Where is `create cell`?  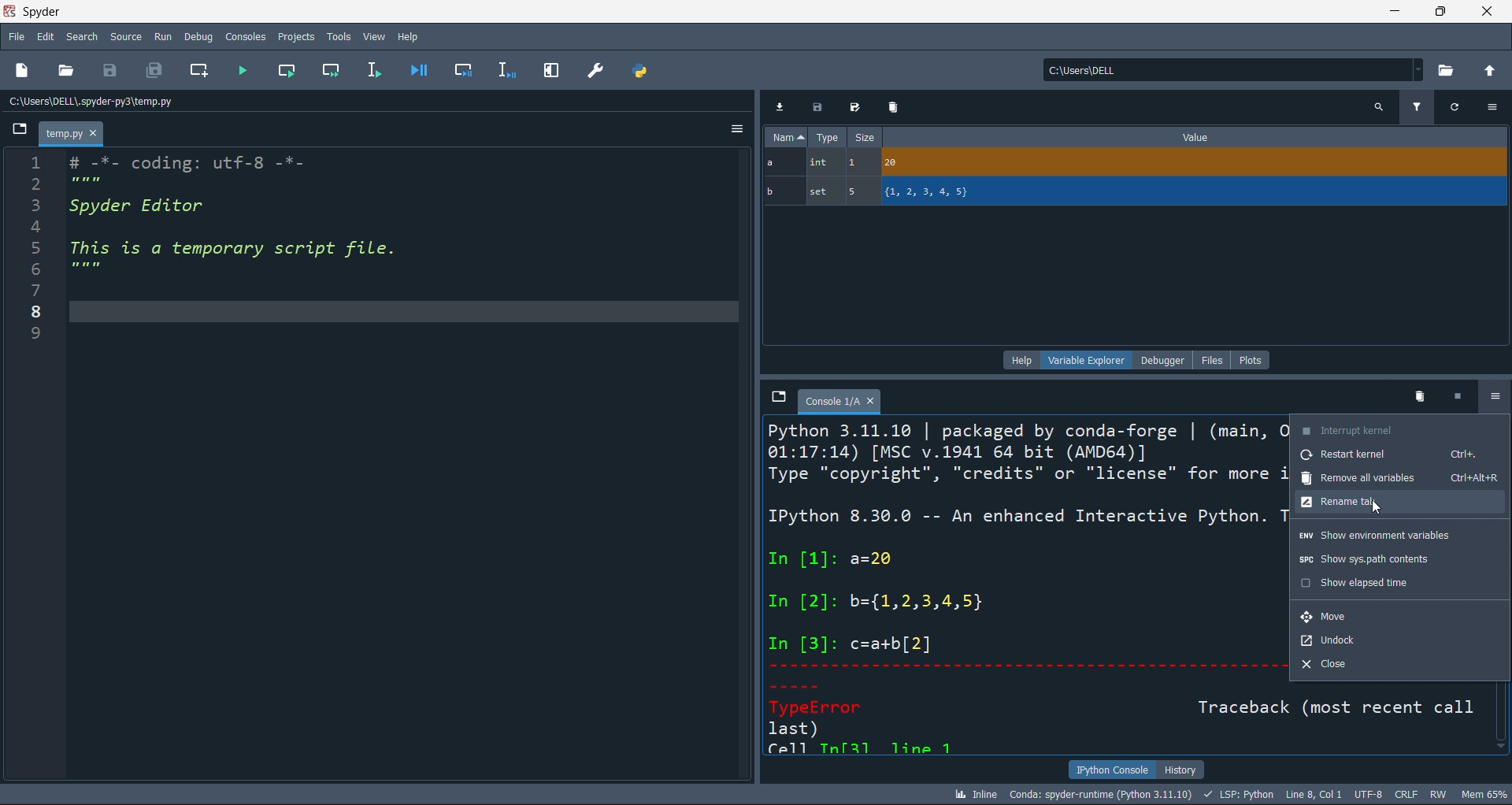
create cell is located at coordinates (197, 72).